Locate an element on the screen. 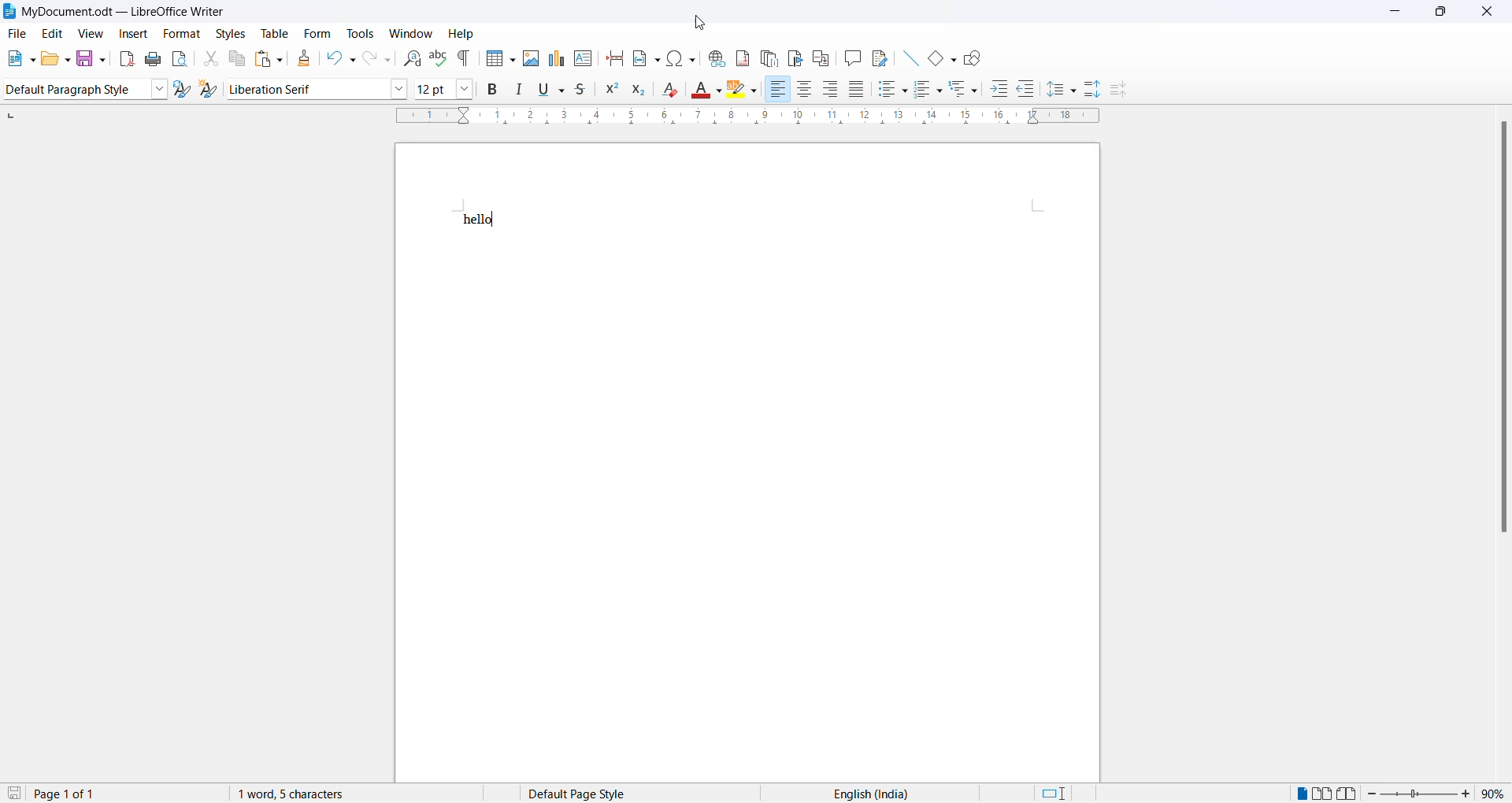 This screenshot has height=803, width=1512. Update style is located at coordinates (183, 89).